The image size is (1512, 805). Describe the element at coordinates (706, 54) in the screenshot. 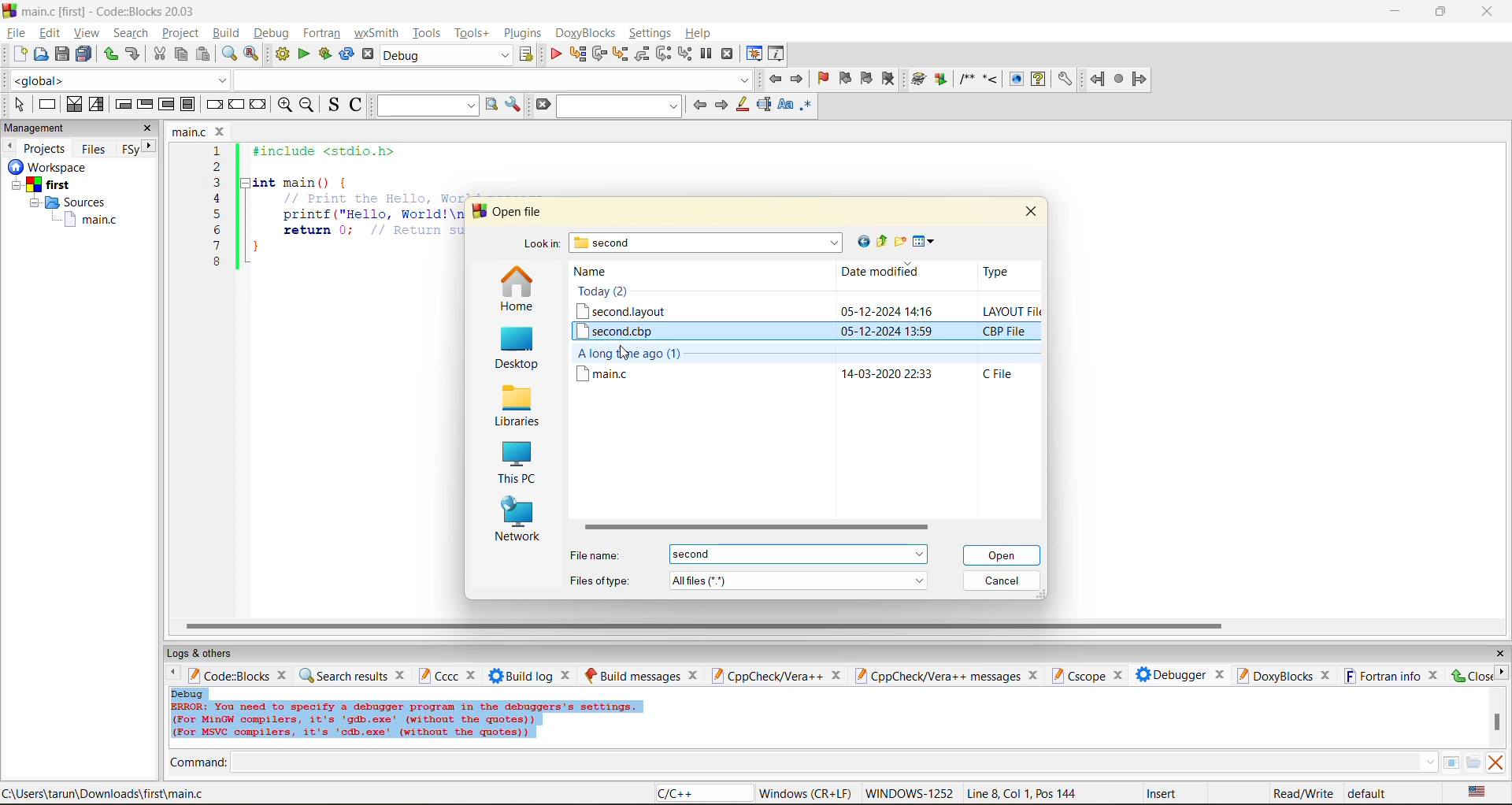

I see `break debugger` at that location.